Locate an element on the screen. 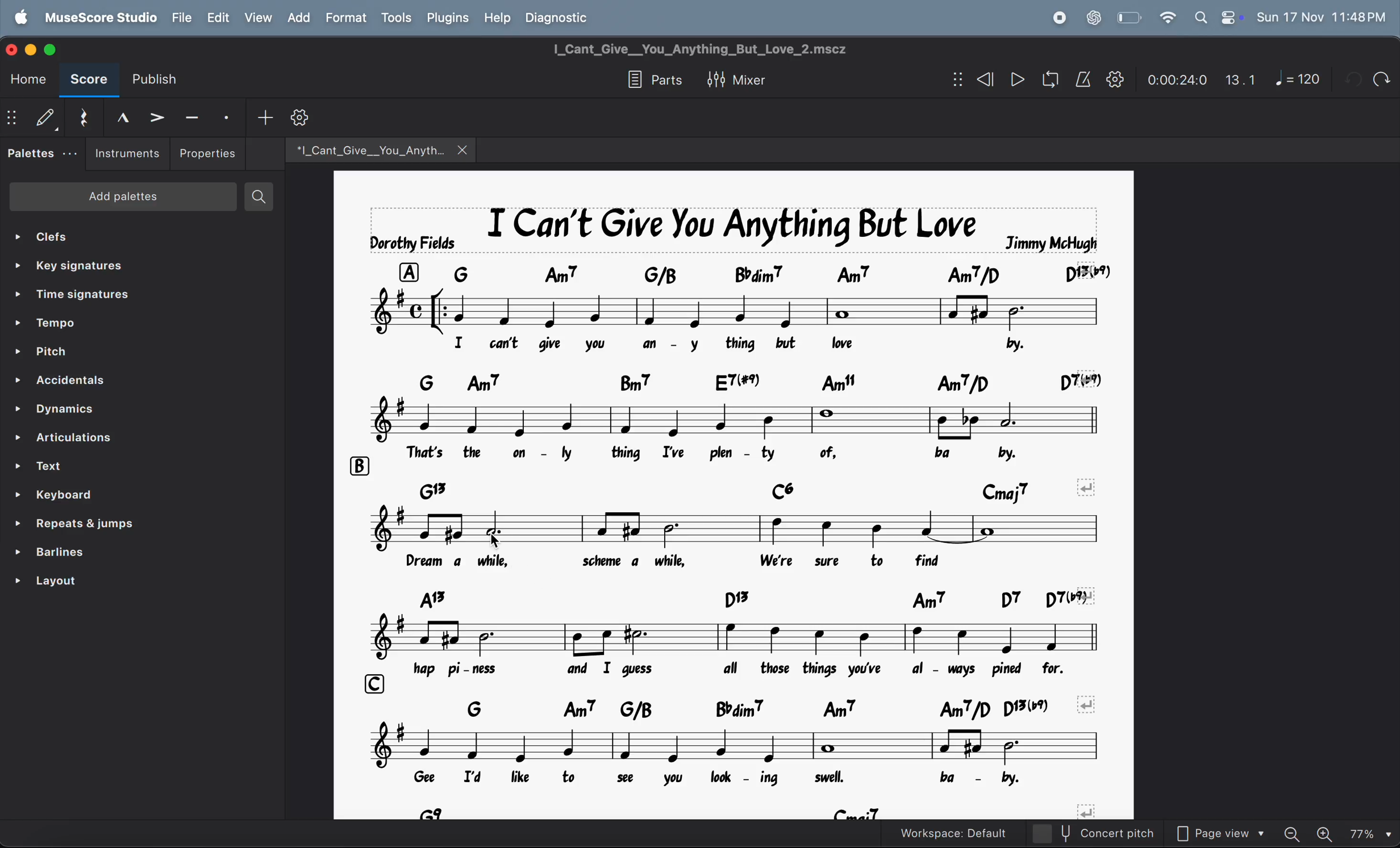  home is located at coordinates (27, 80).